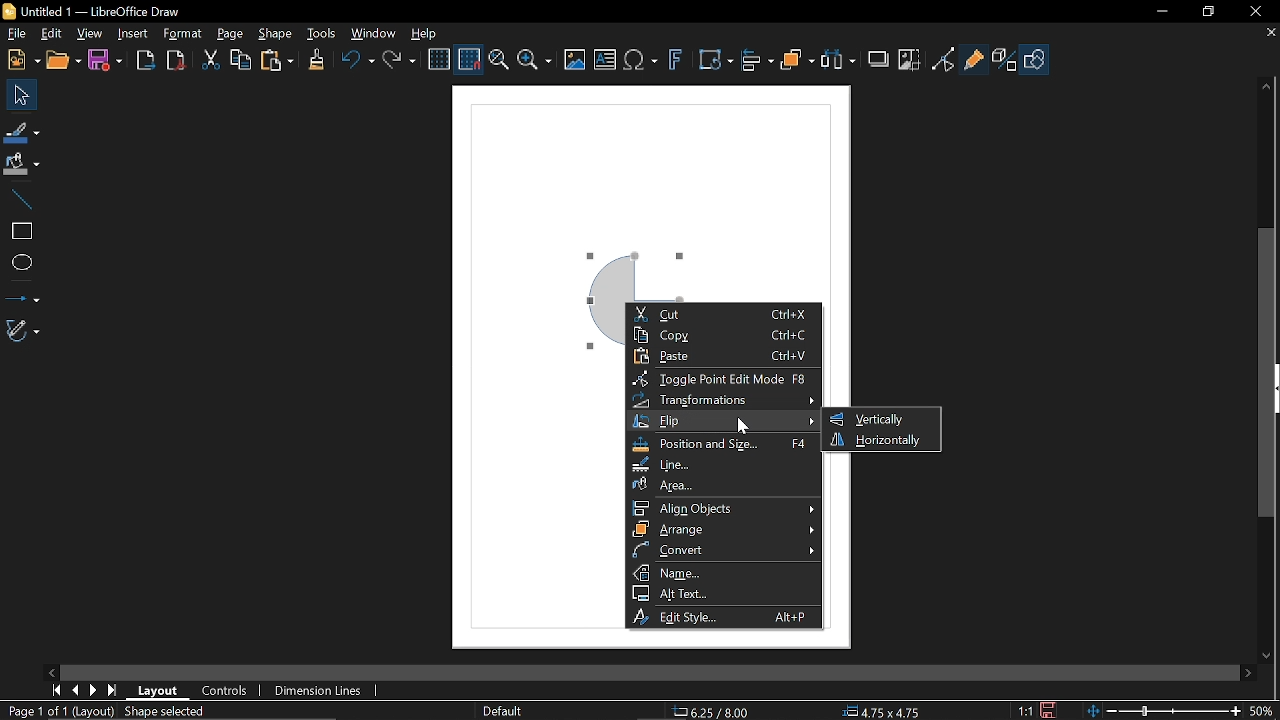 The width and height of the screenshot is (1280, 720). I want to click on Curves and polygons, so click(25, 331).